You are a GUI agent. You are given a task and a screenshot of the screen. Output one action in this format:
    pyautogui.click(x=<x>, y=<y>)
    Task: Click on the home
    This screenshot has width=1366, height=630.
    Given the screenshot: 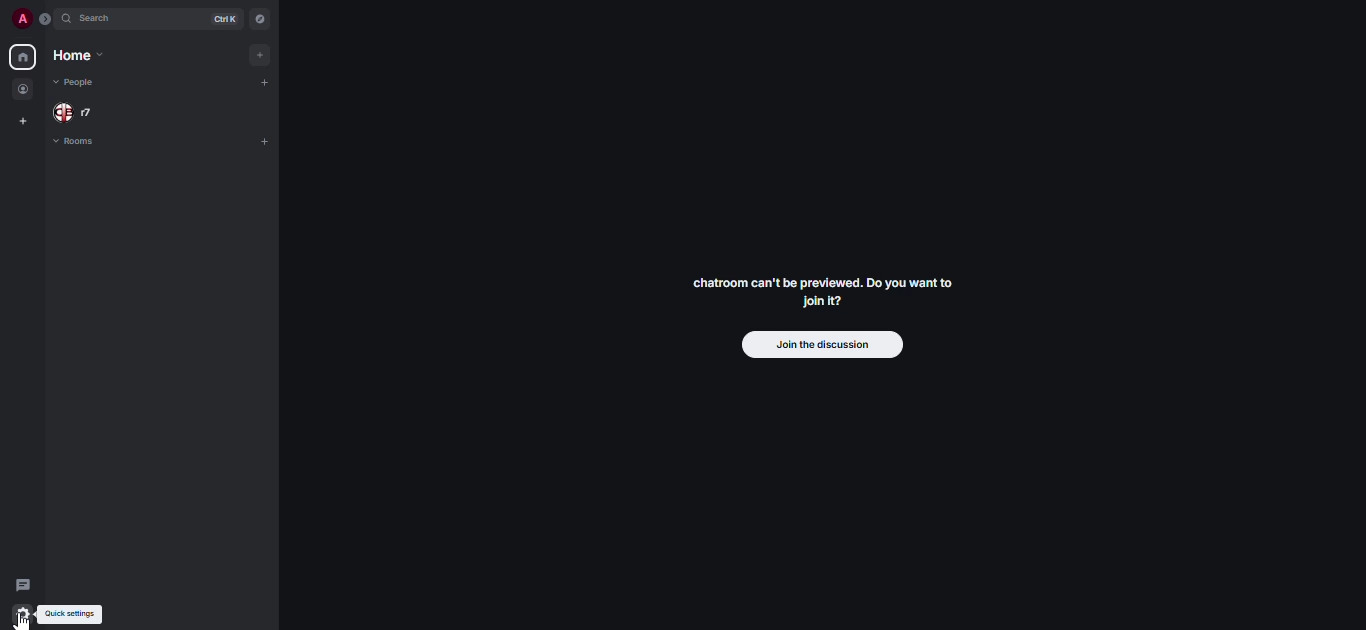 What is the action you would take?
    pyautogui.click(x=77, y=57)
    